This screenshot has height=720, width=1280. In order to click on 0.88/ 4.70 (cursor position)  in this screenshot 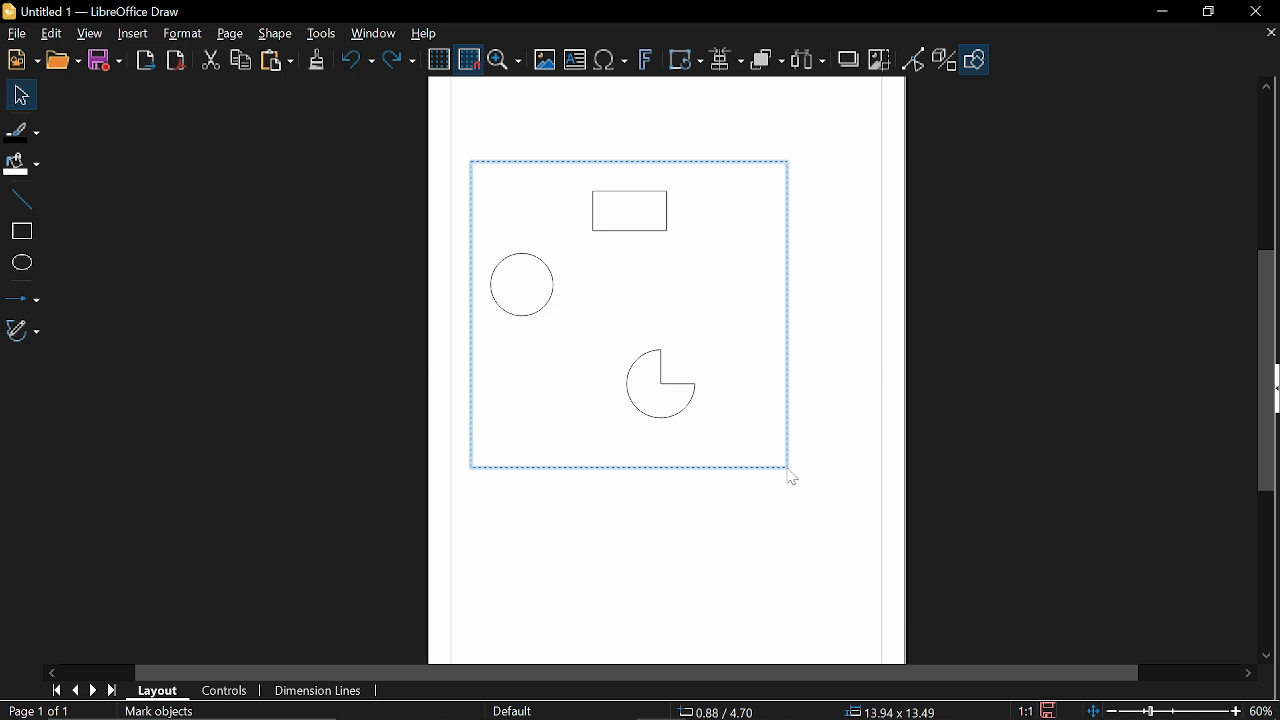, I will do `click(717, 711)`.